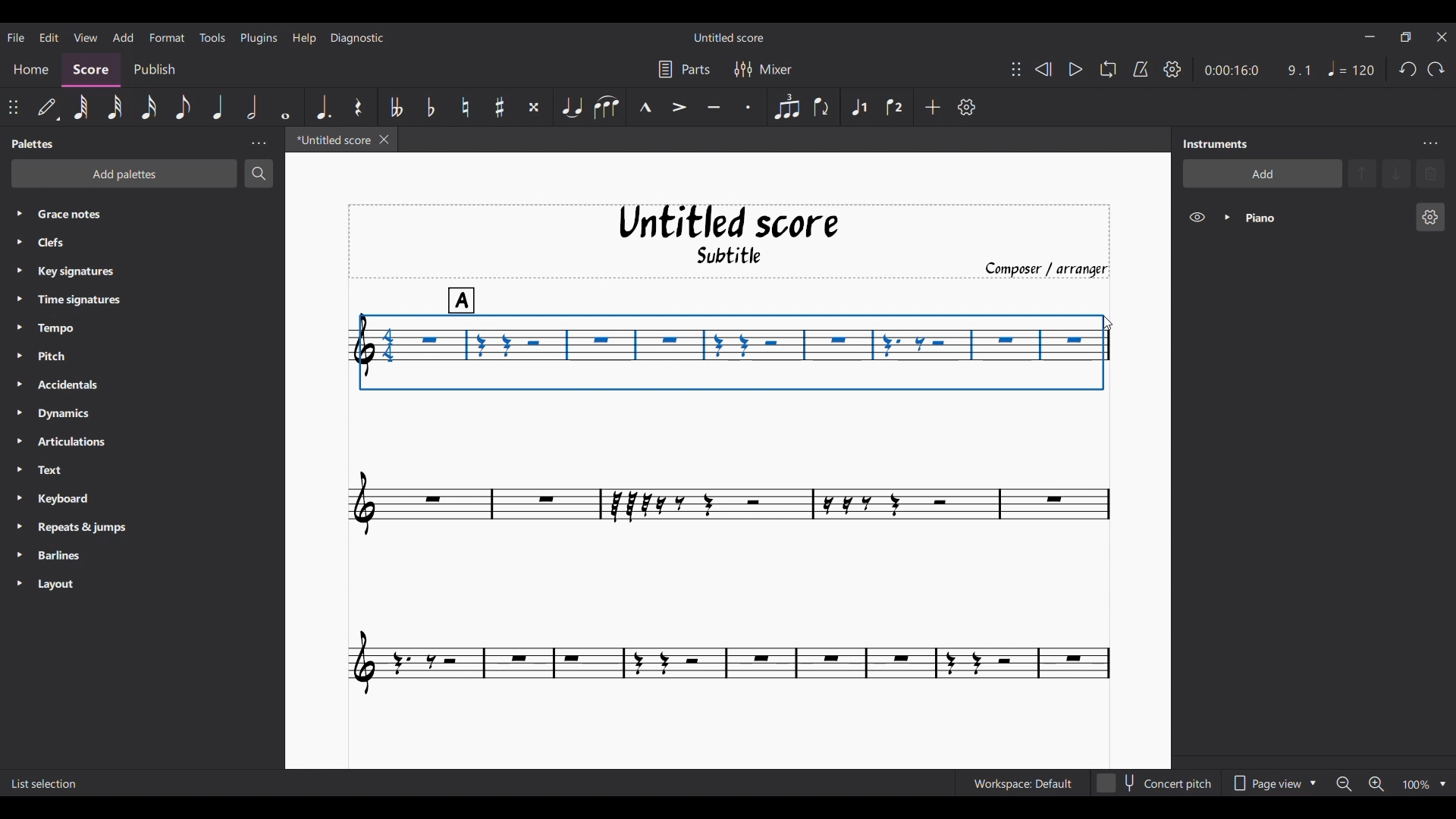  What do you see at coordinates (1156, 783) in the screenshot?
I see `Toggle content pitch` at bounding box center [1156, 783].